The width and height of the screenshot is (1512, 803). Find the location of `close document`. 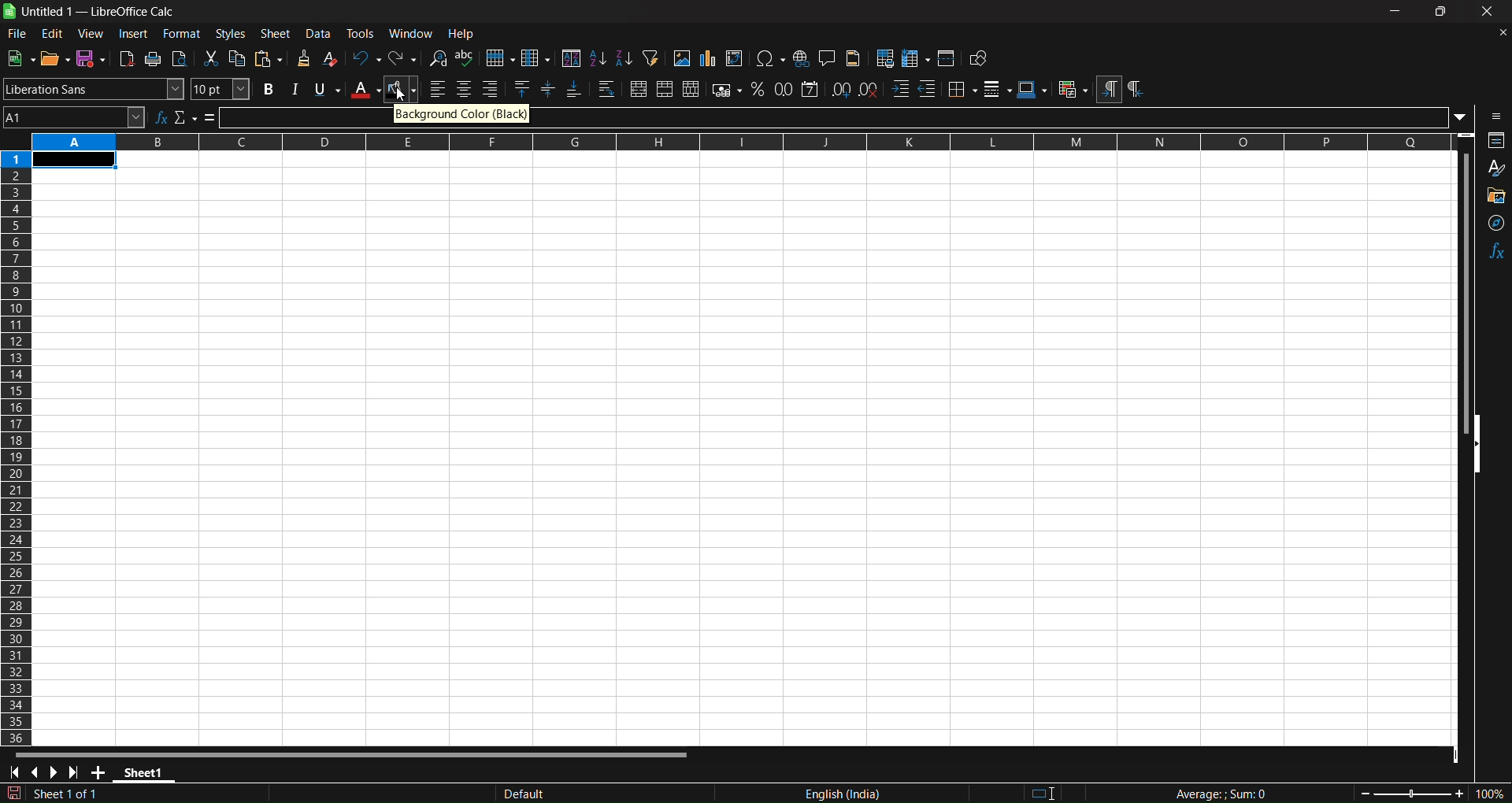

close document is located at coordinates (1498, 34).